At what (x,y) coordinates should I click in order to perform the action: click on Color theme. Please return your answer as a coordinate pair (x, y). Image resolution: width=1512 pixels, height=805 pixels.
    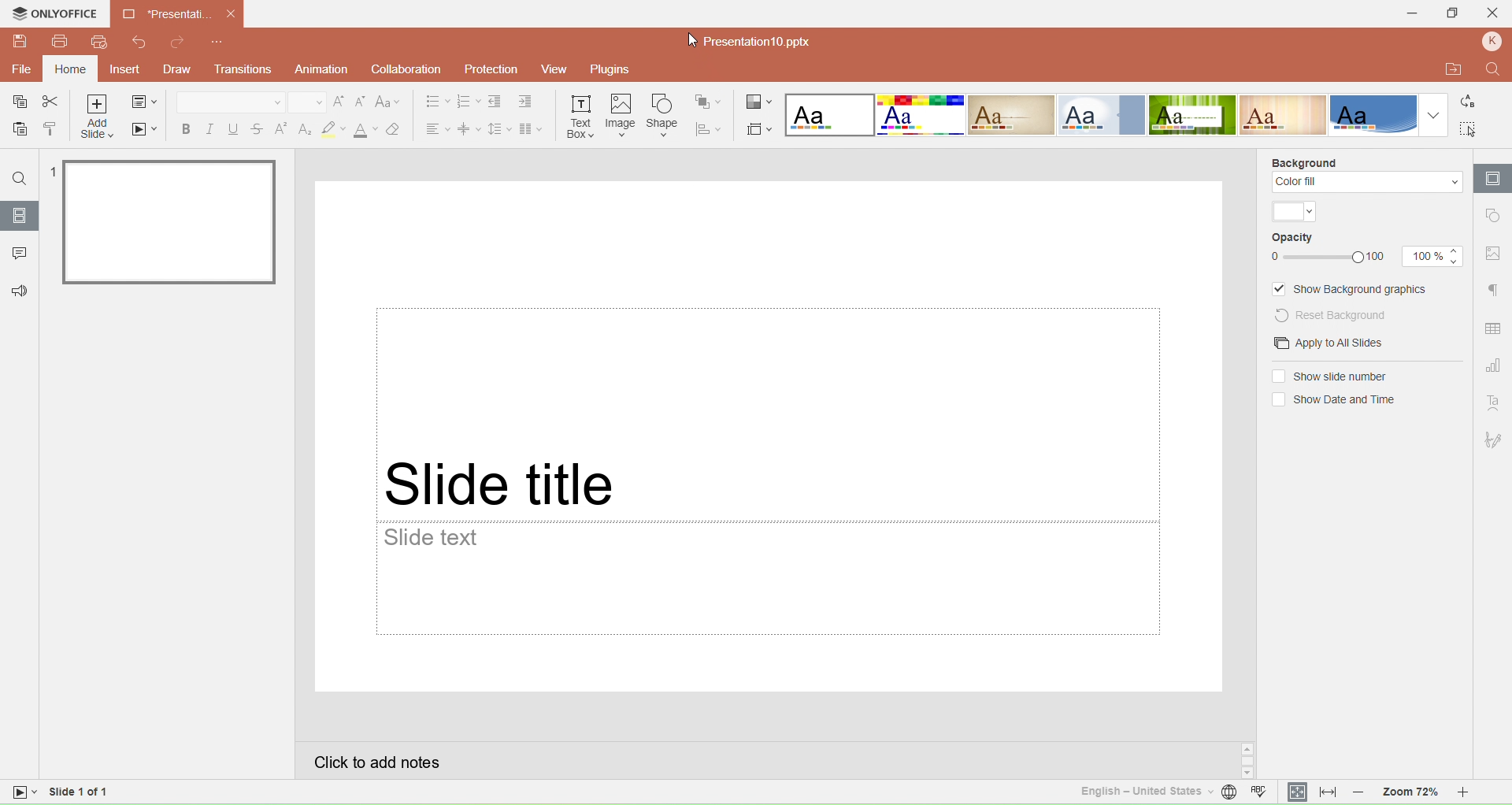
    Looking at the image, I should click on (1295, 212).